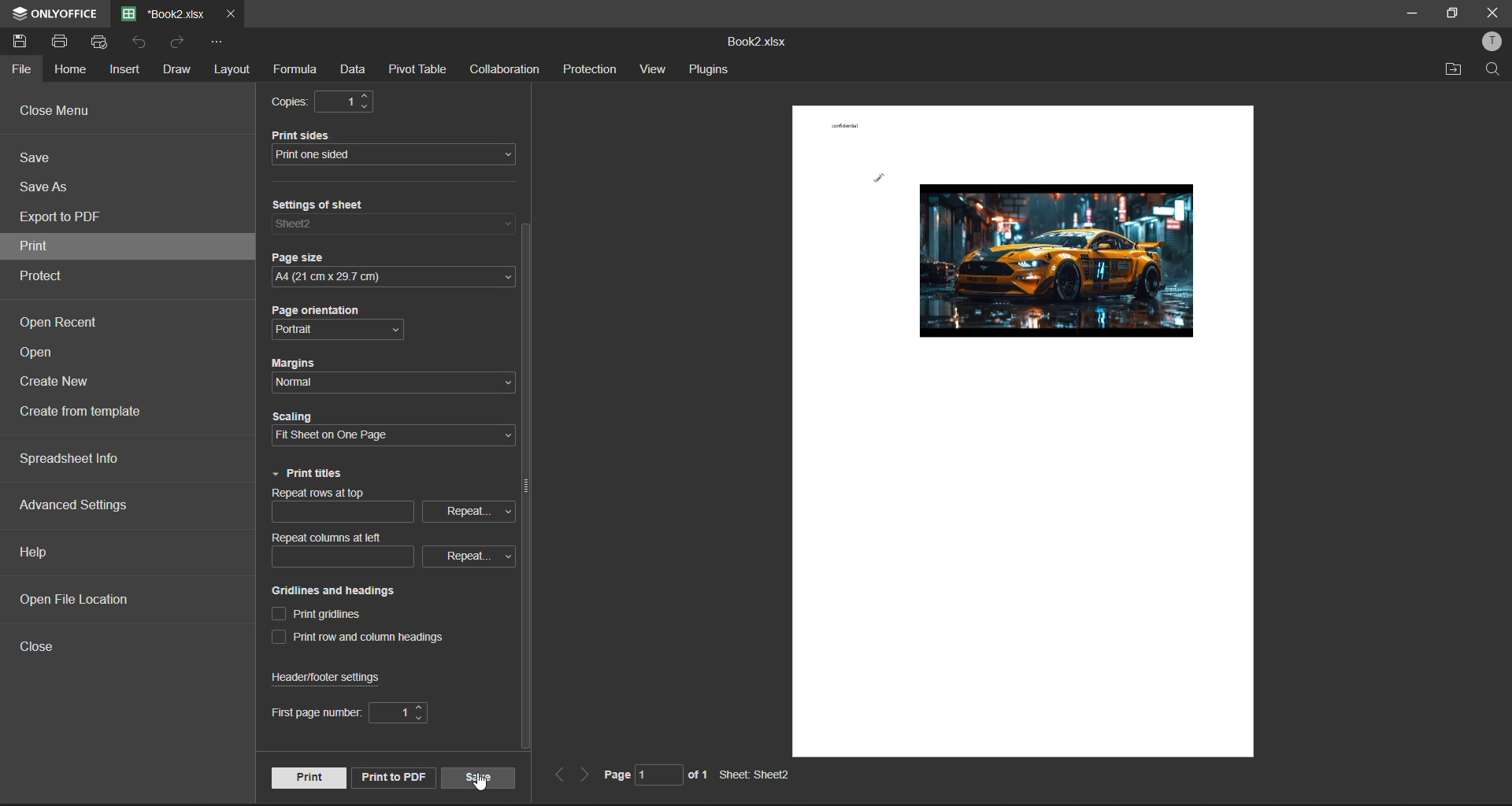  Describe the element at coordinates (20, 69) in the screenshot. I see `file` at that location.